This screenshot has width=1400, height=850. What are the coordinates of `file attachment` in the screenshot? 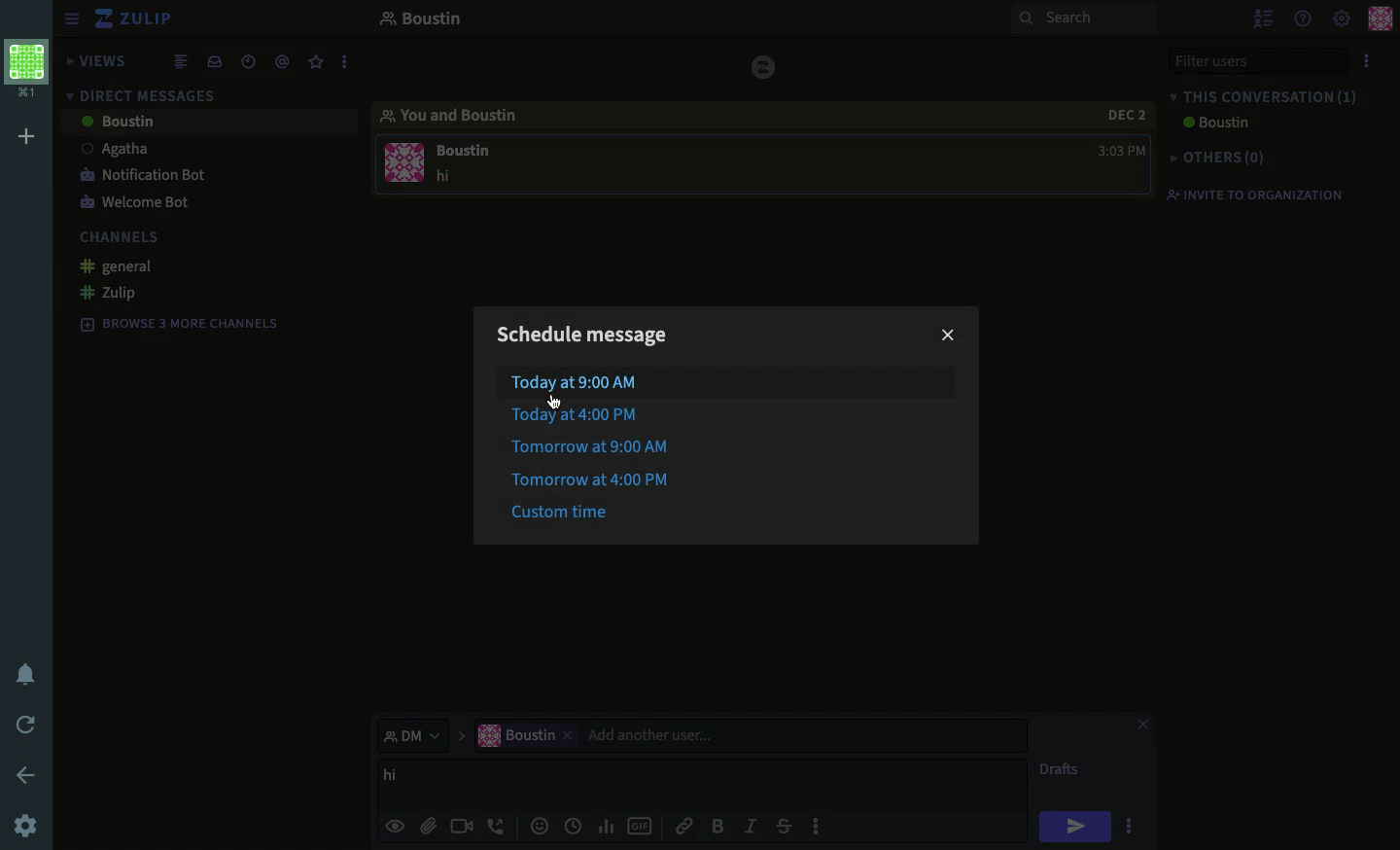 It's located at (428, 825).